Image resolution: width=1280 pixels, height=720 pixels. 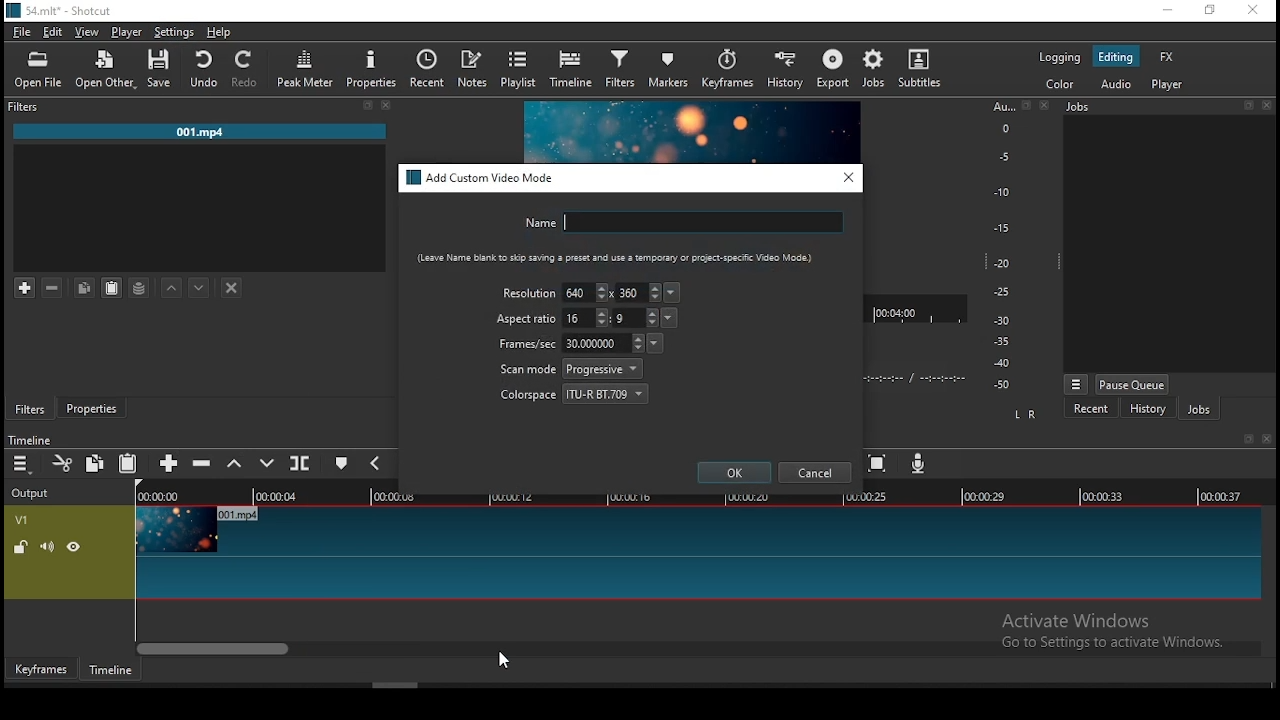 I want to click on 00:00:08, so click(x=402, y=497).